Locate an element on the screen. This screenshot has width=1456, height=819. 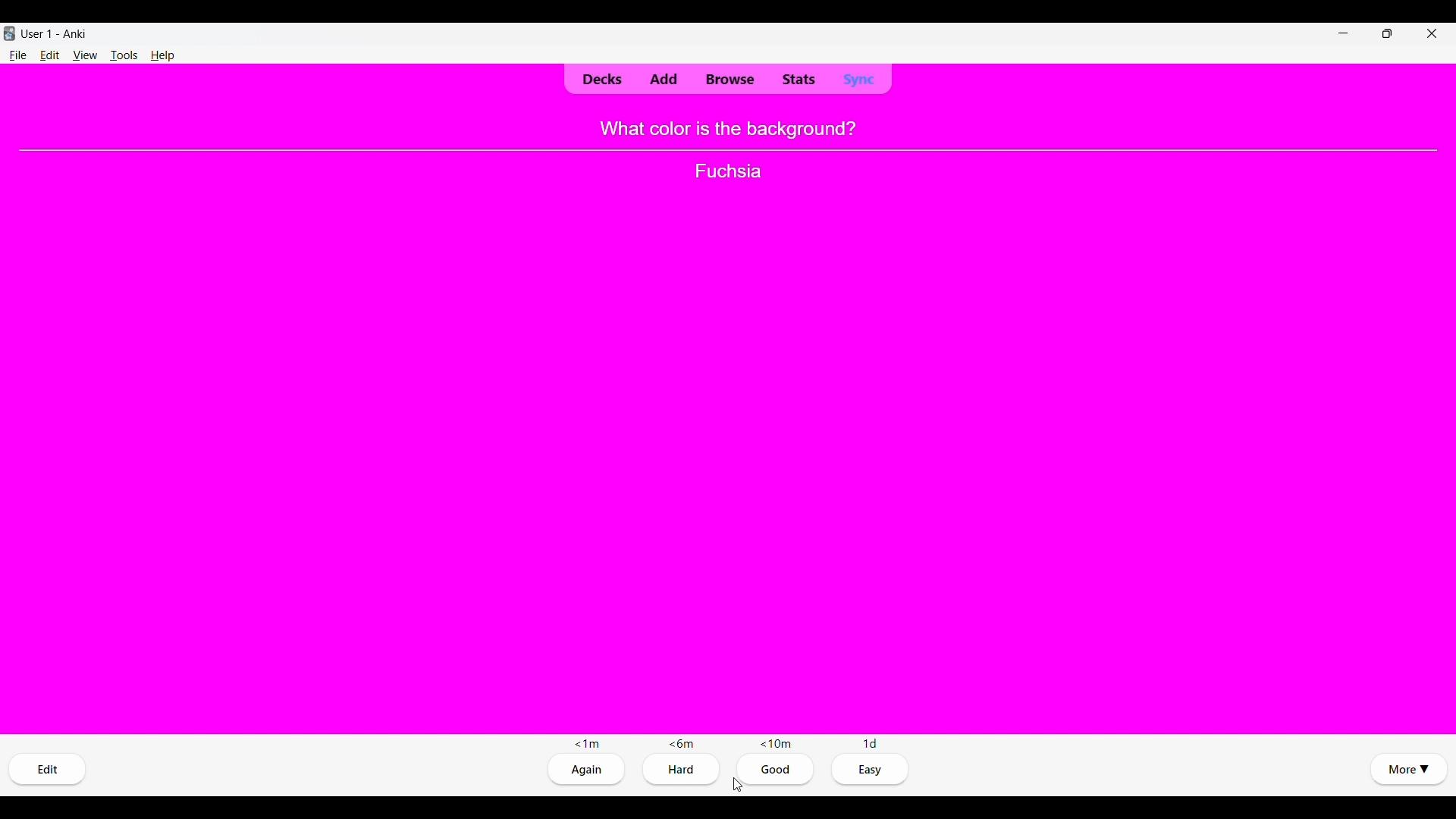
Stats is located at coordinates (798, 80).